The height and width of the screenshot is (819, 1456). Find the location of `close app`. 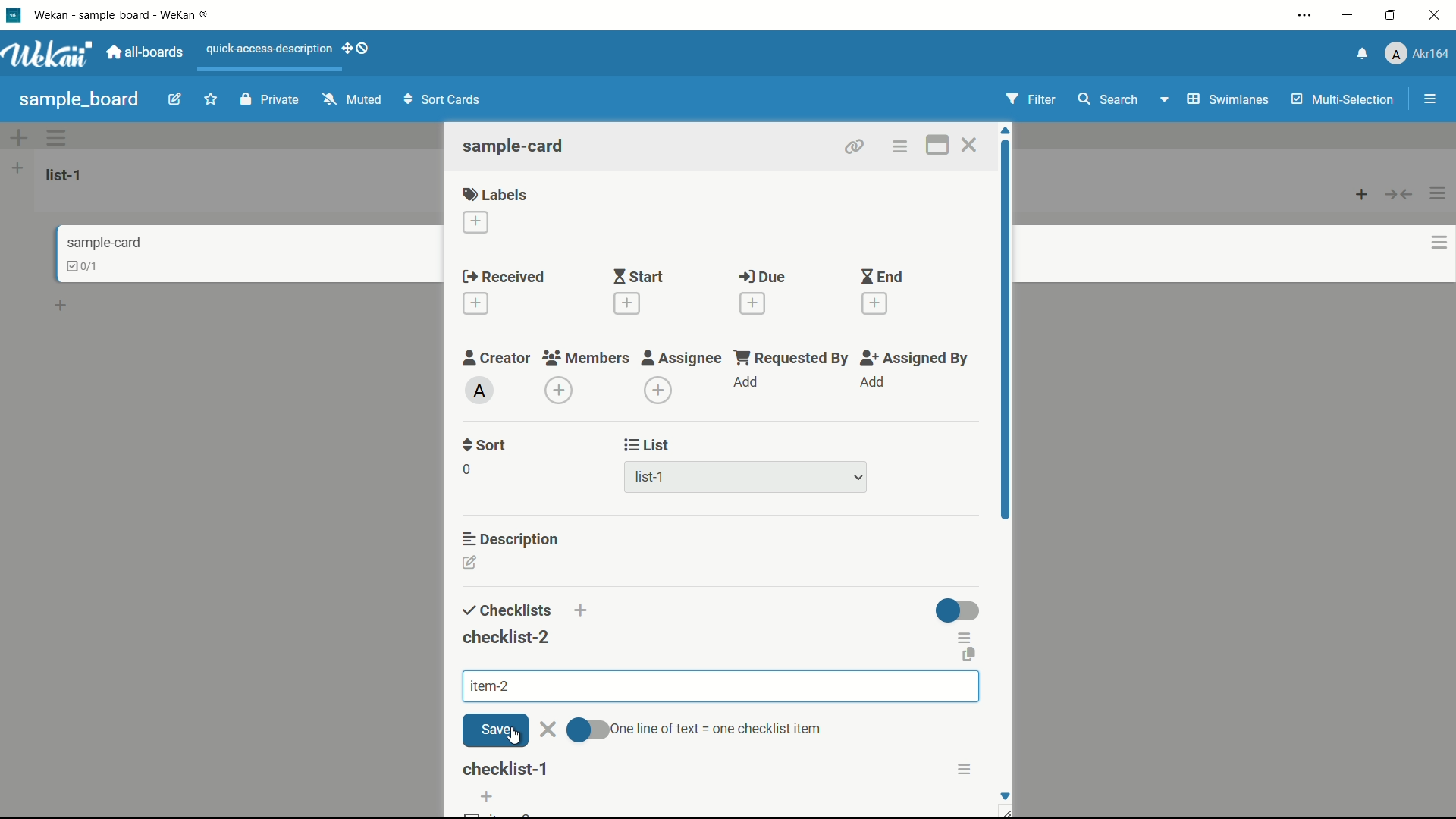

close app is located at coordinates (1438, 15).